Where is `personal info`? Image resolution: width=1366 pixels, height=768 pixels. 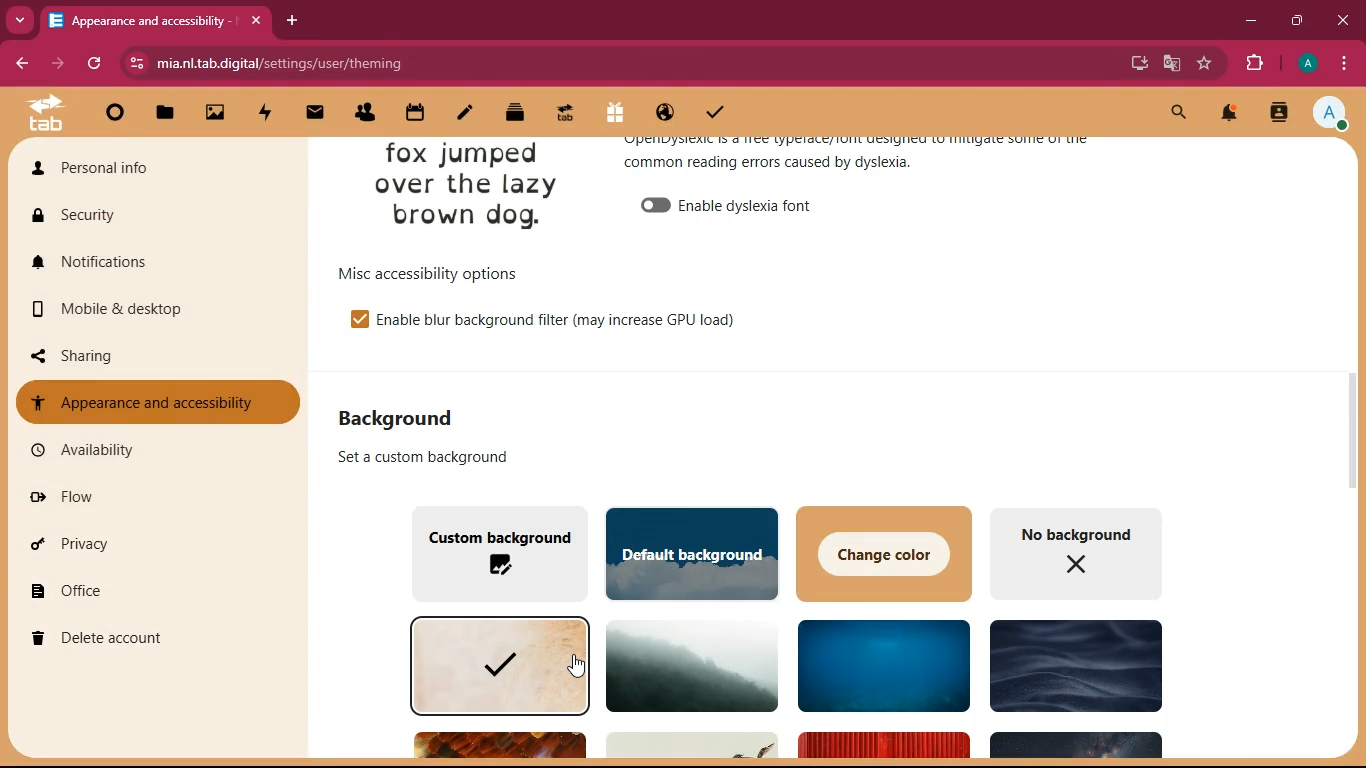
personal info is located at coordinates (130, 166).